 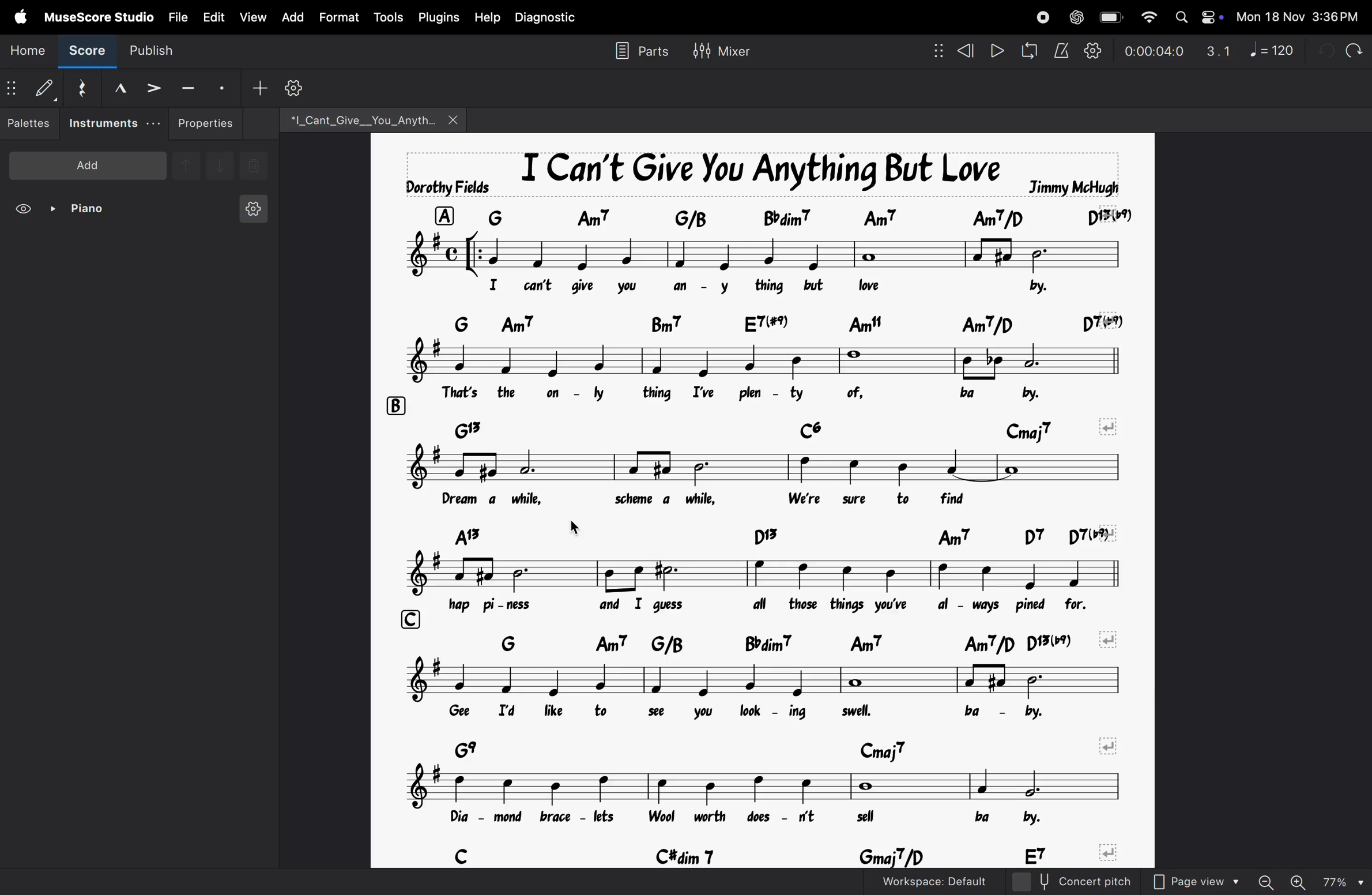 I want to click on chord symbols, so click(x=783, y=426).